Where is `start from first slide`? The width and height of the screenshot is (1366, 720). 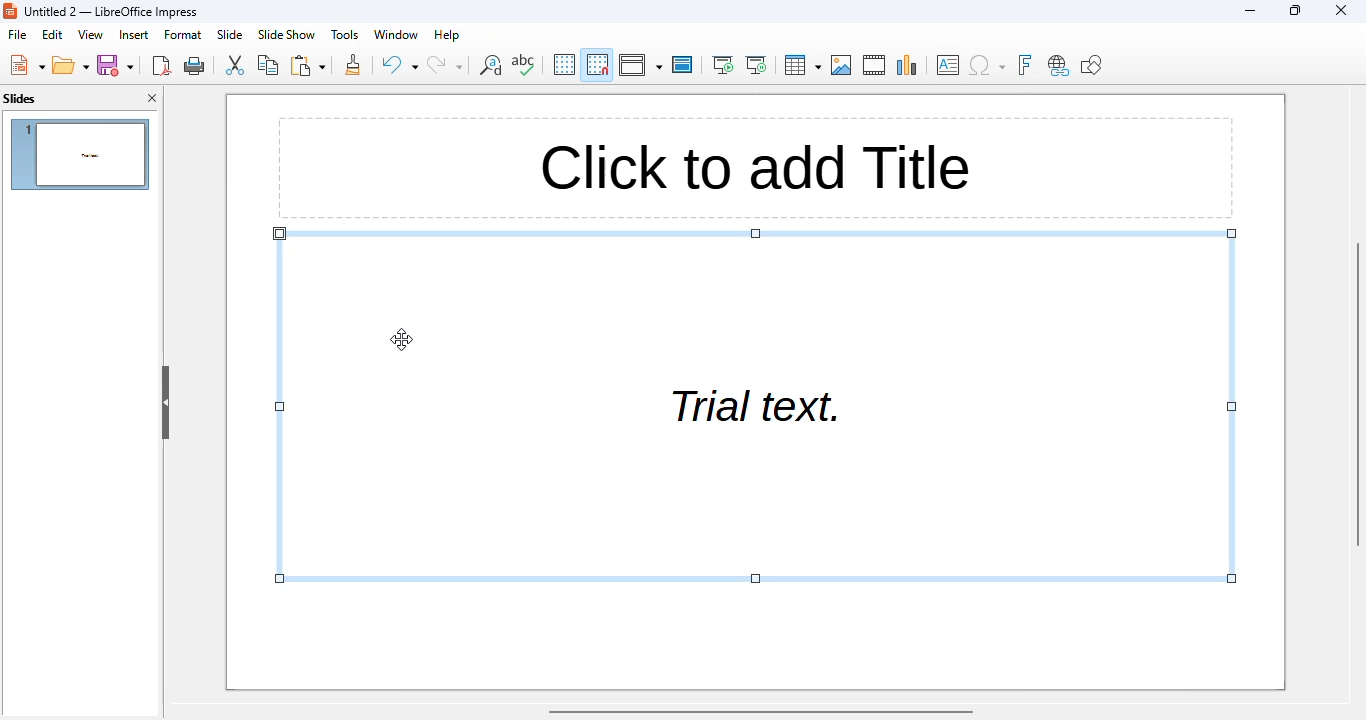 start from first slide is located at coordinates (724, 65).